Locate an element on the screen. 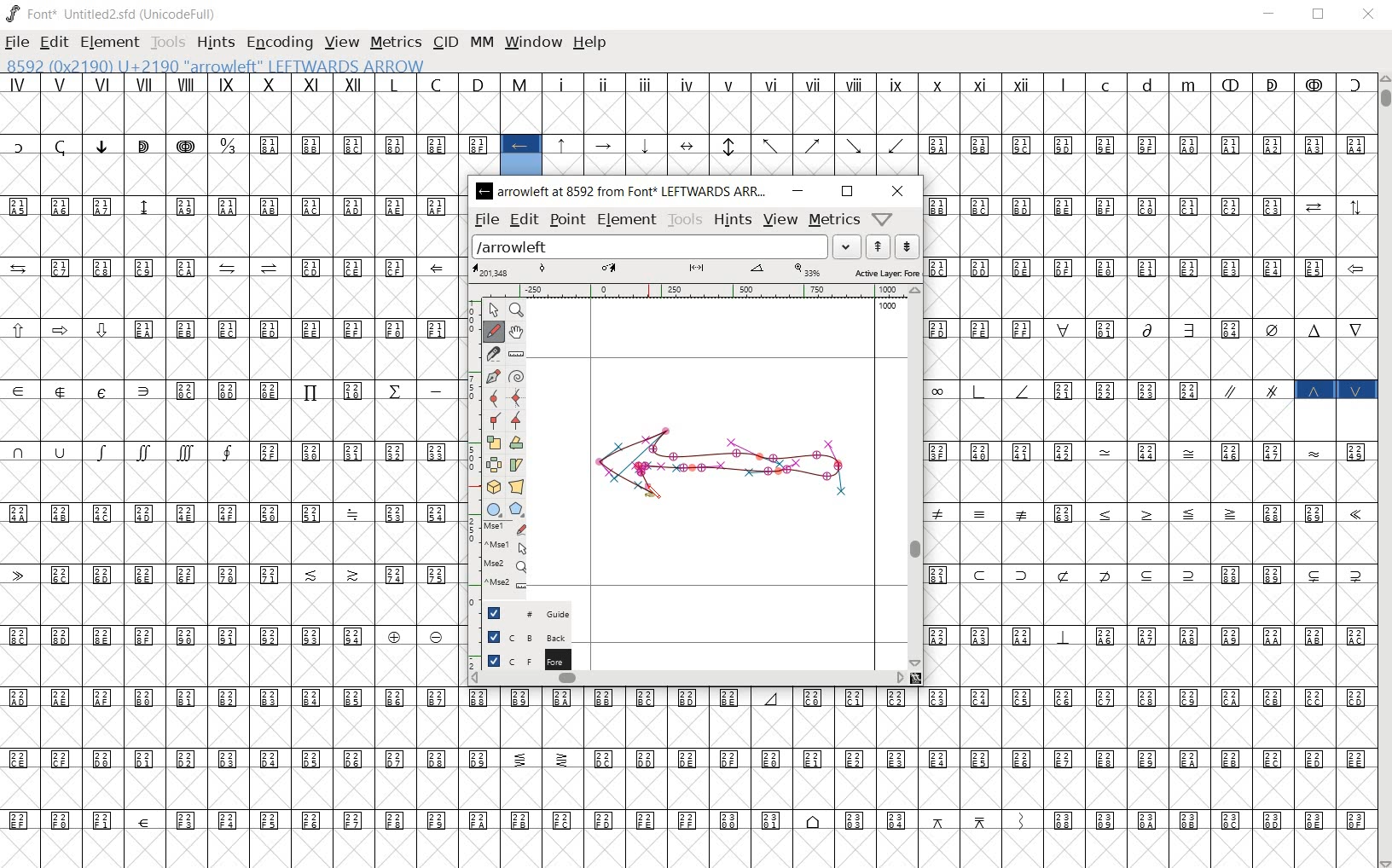 The height and width of the screenshot is (868, 1392). show the next/previous word on the list is located at coordinates (891, 246).